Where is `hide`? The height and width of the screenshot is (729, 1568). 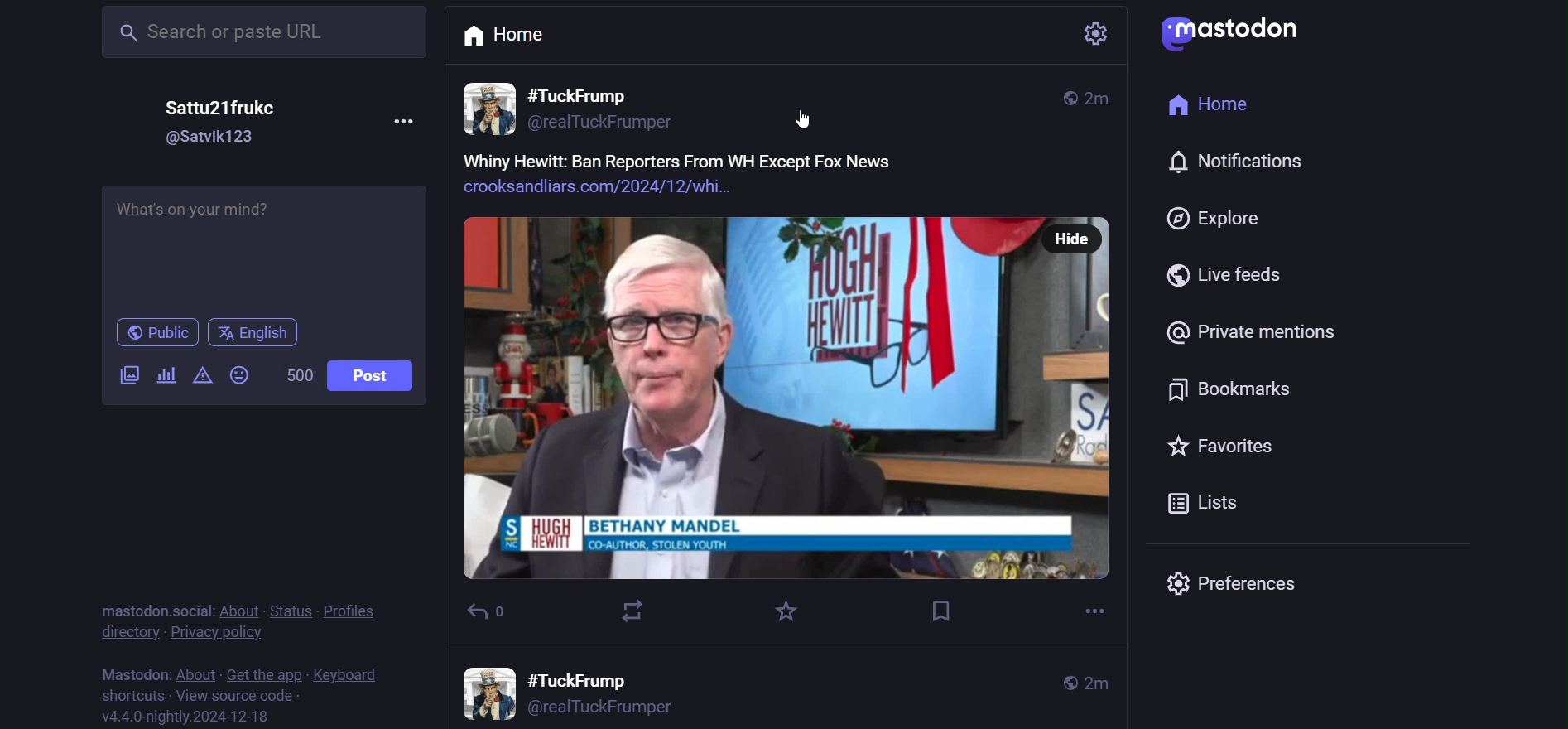 hide is located at coordinates (1070, 238).